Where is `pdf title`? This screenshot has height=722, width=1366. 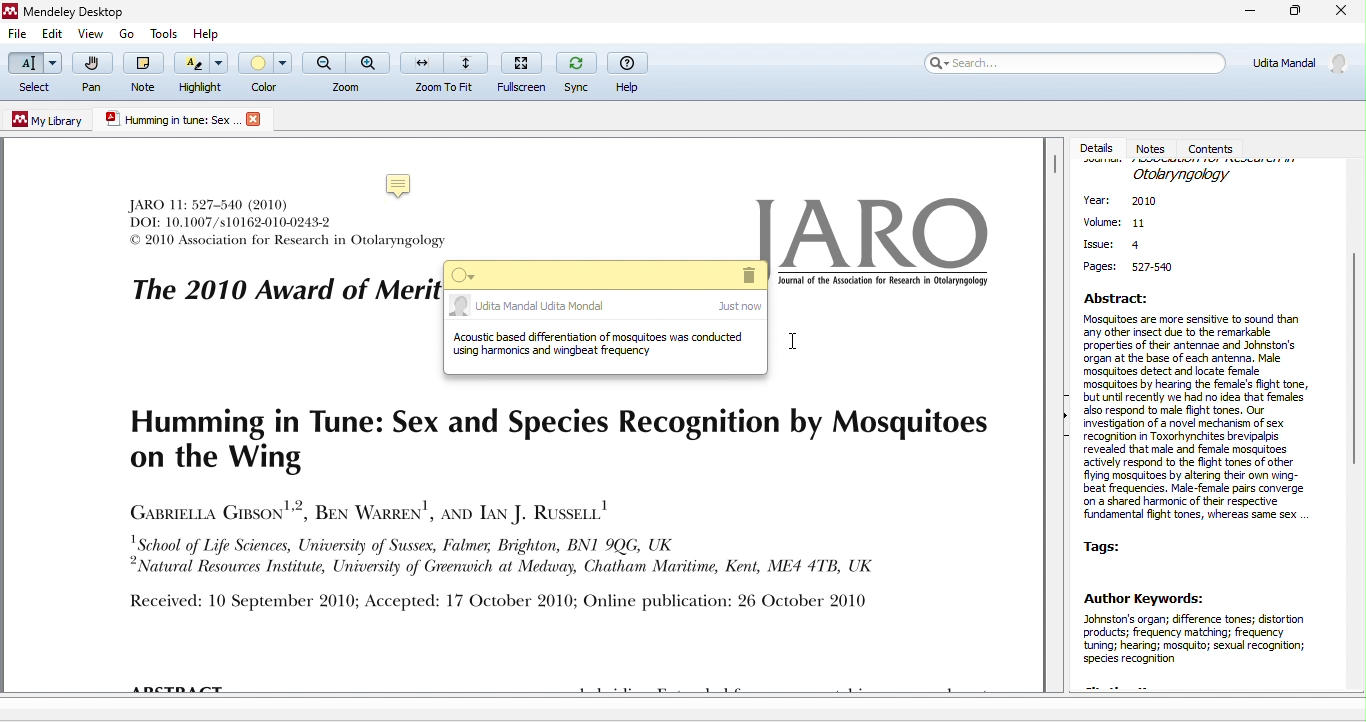 pdf title is located at coordinates (169, 119).